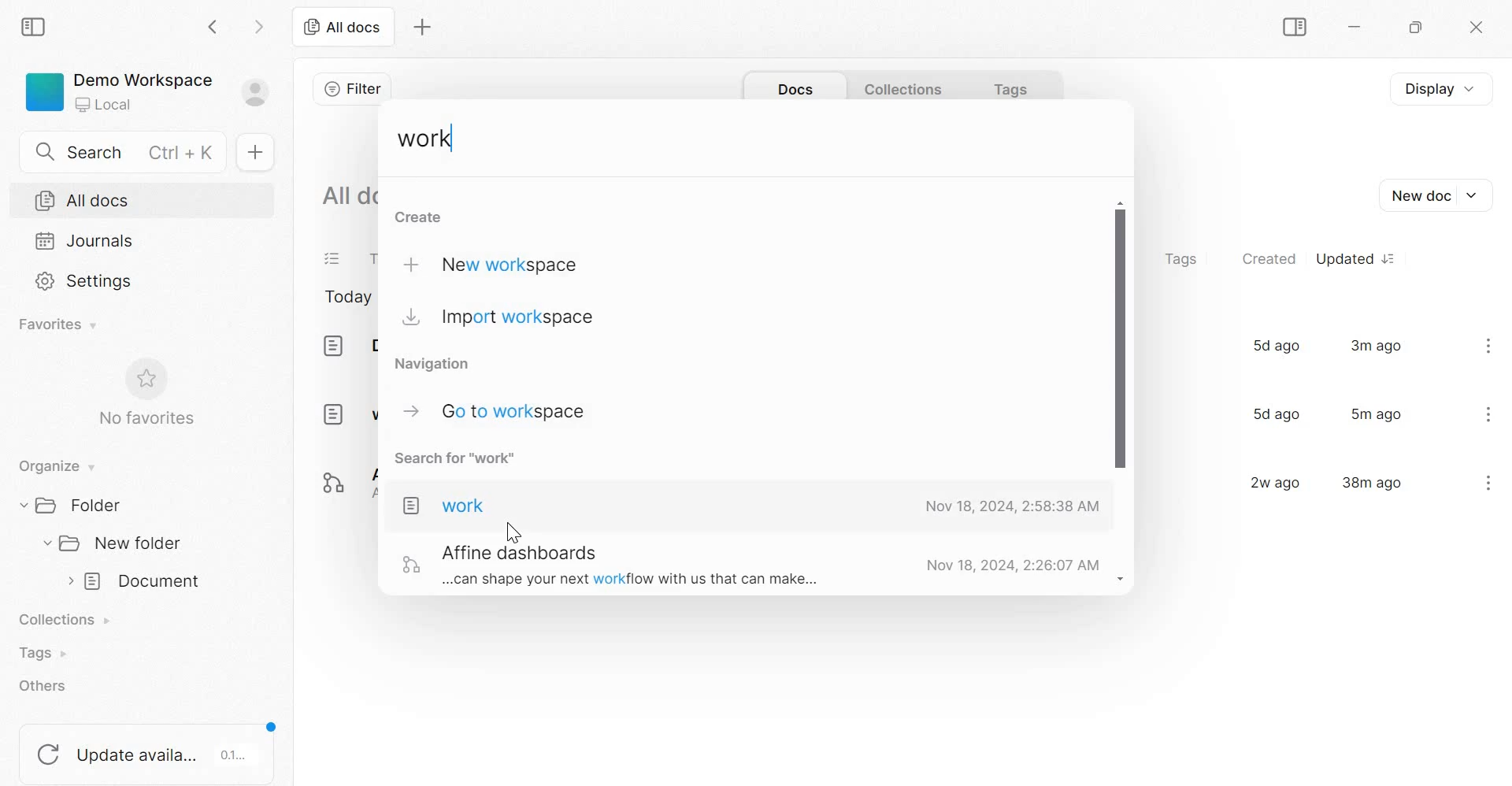 The height and width of the screenshot is (786, 1512). I want to click on New tab, so click(423, 28).